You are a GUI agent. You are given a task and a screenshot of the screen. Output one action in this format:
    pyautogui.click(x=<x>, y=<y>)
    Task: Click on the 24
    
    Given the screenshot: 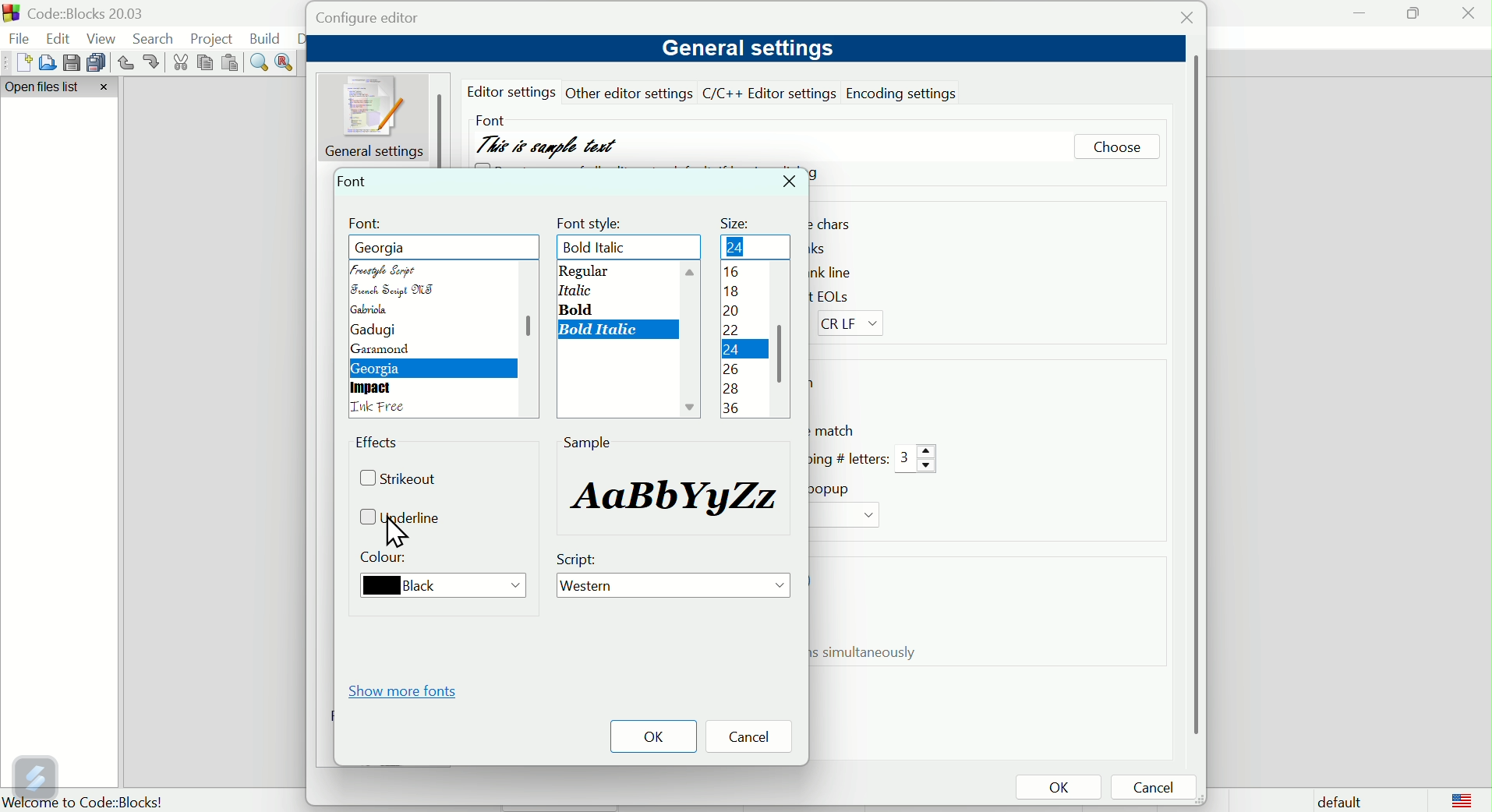 What is the action you would take?
    pyautogui.click(x=730, y=352)
    